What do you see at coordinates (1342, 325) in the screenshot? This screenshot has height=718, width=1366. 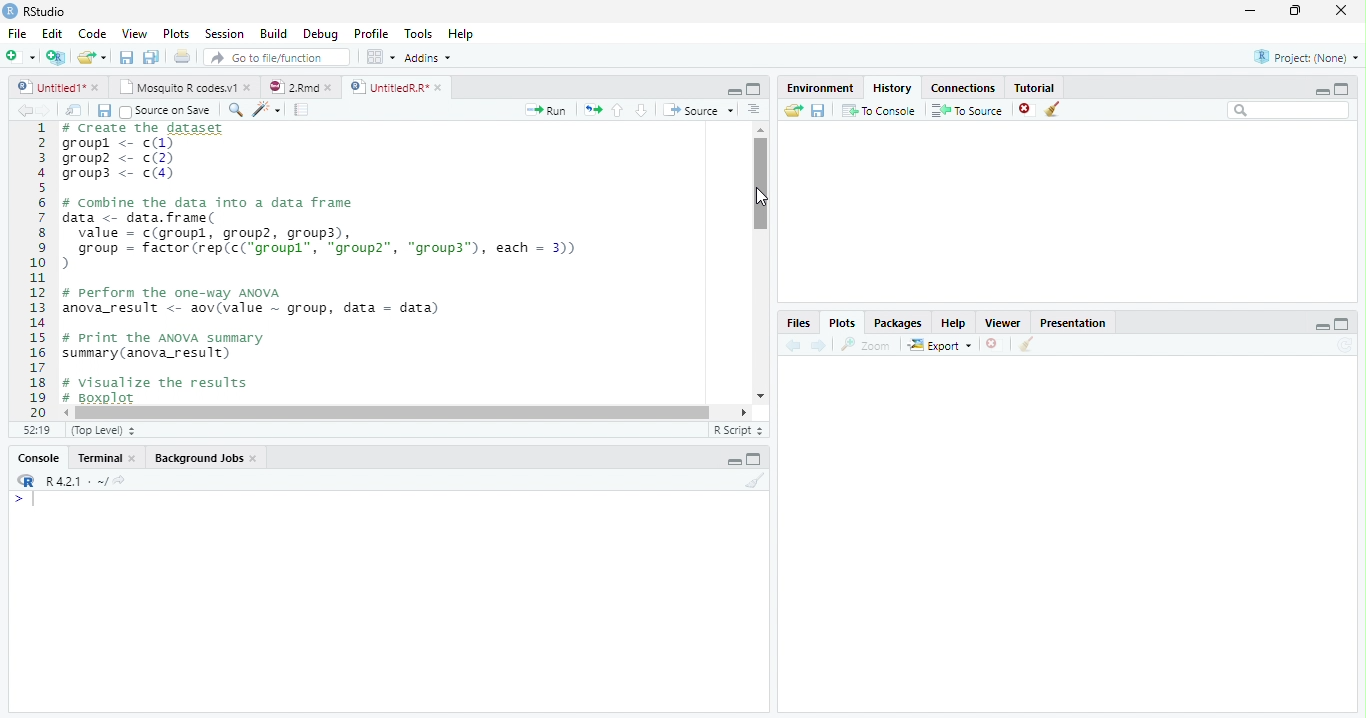 I see `Maximize` at bounding box center [1342, 325].